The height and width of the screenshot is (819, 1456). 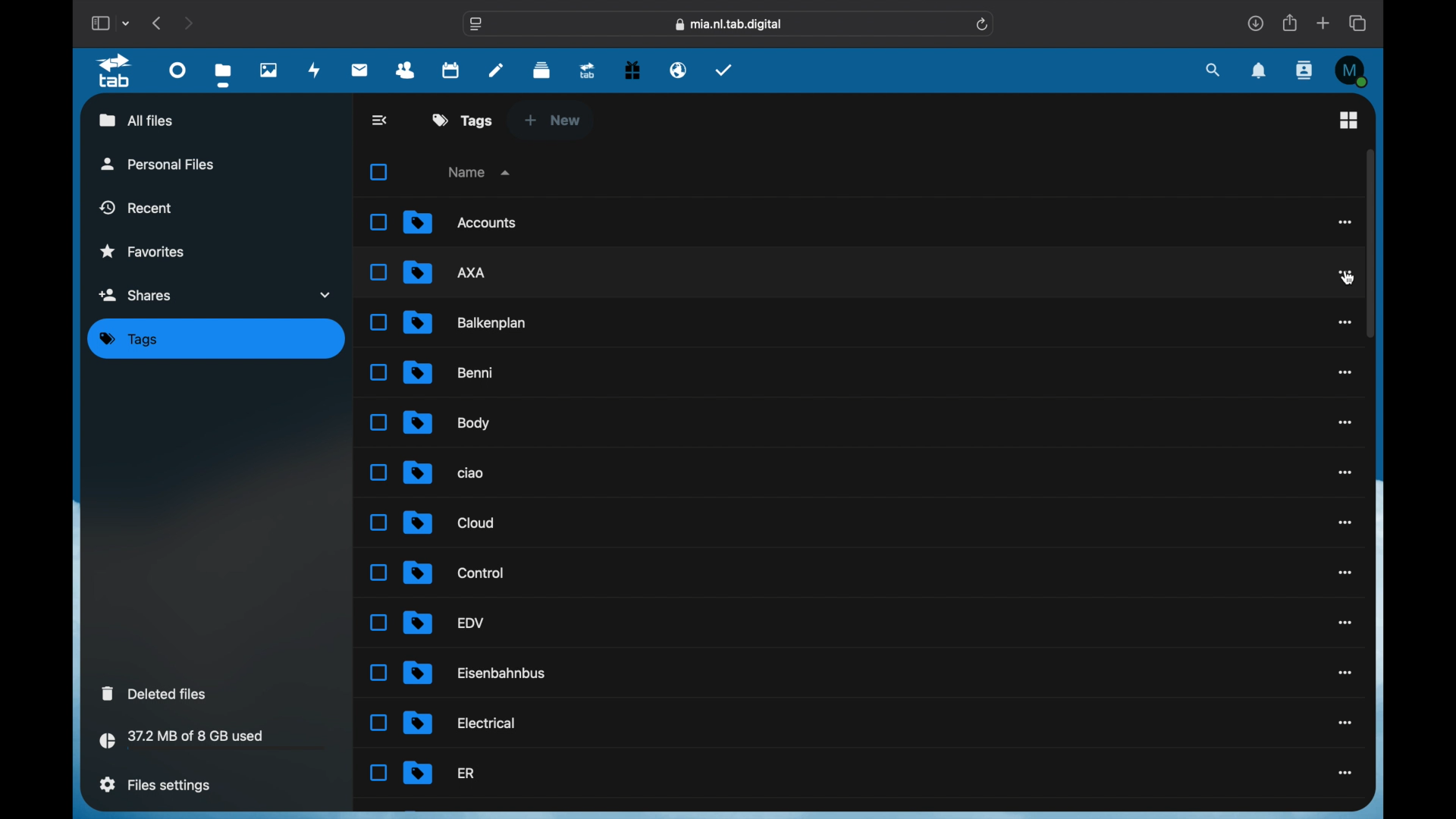 I want to click on new, so click(x=552, y=120).